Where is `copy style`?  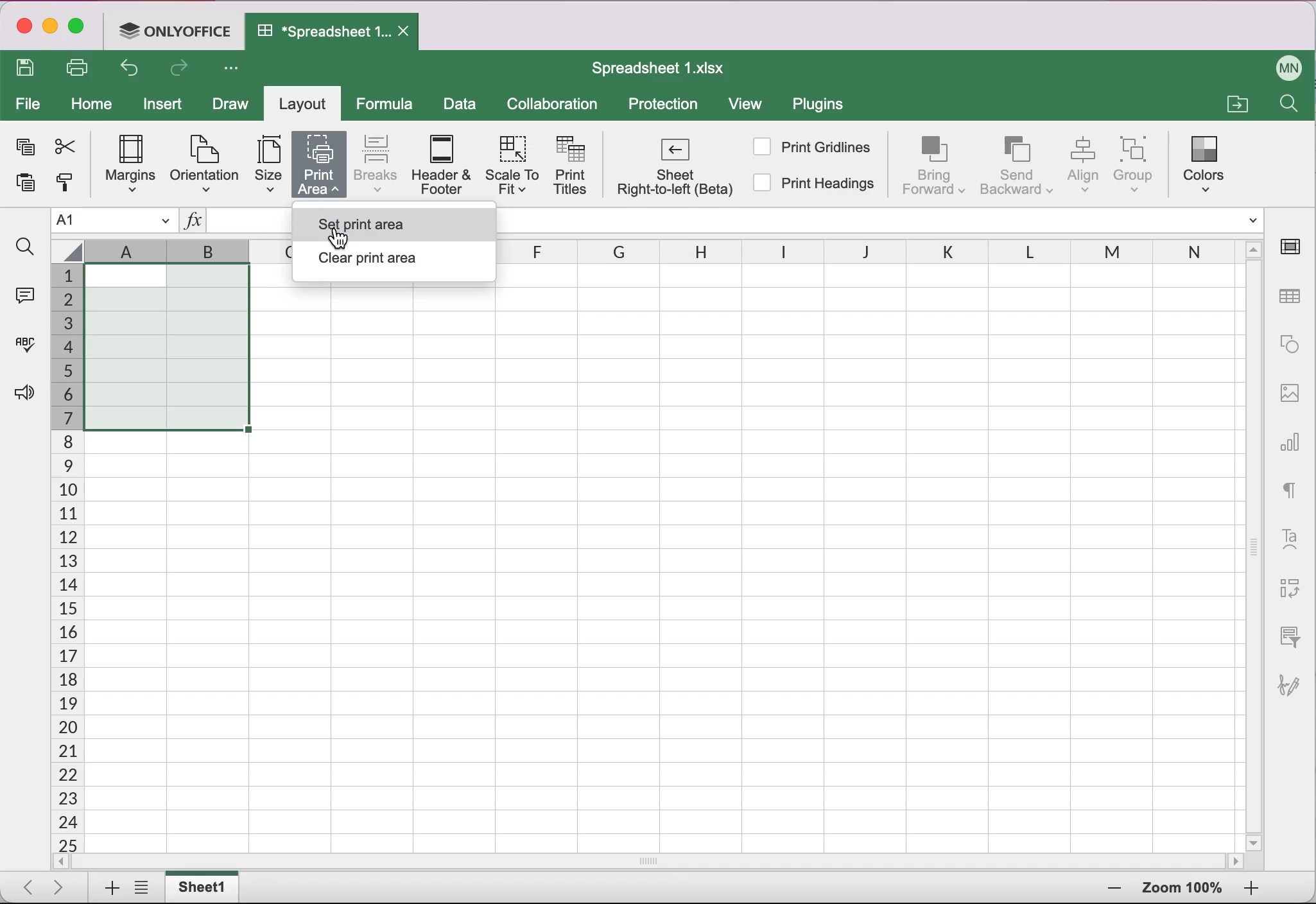
copy style is located at coordinates (64, 187).